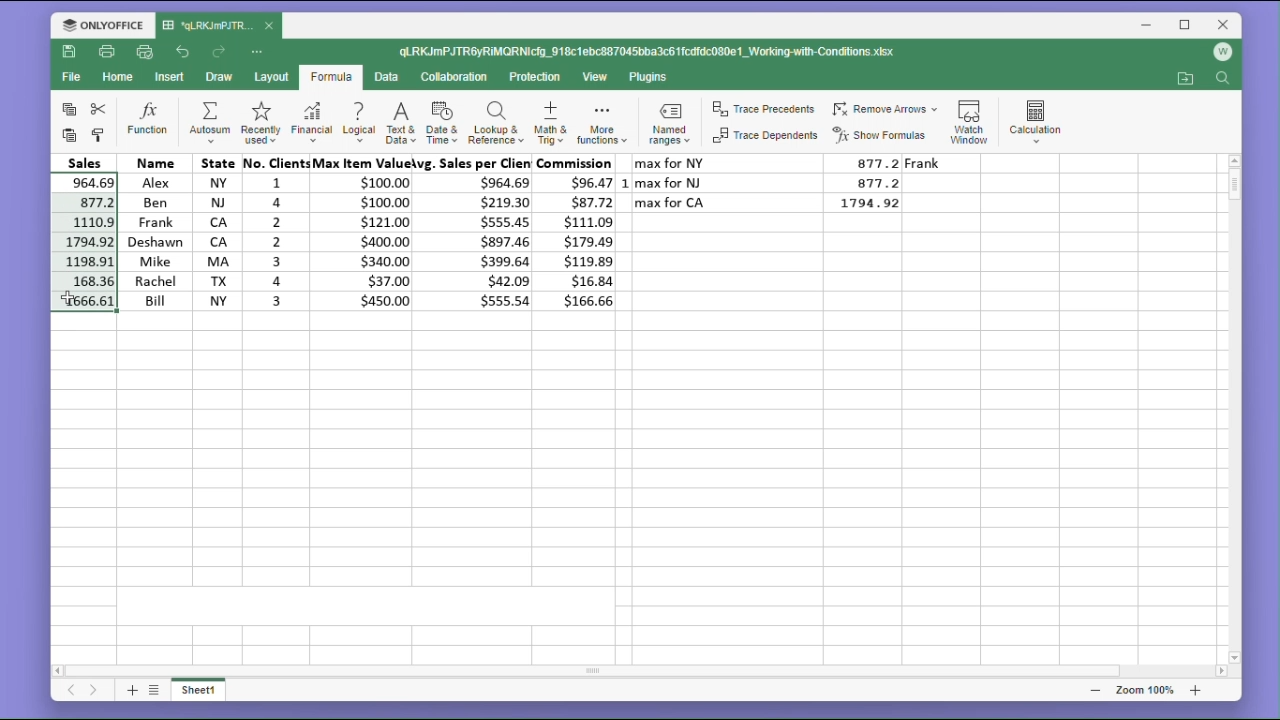 This screenshot has width=1280, height=720. What do you see at coordinates (495, 123) in the screenshot?
I see `lookup and reference` at bounding box center [495, 123].